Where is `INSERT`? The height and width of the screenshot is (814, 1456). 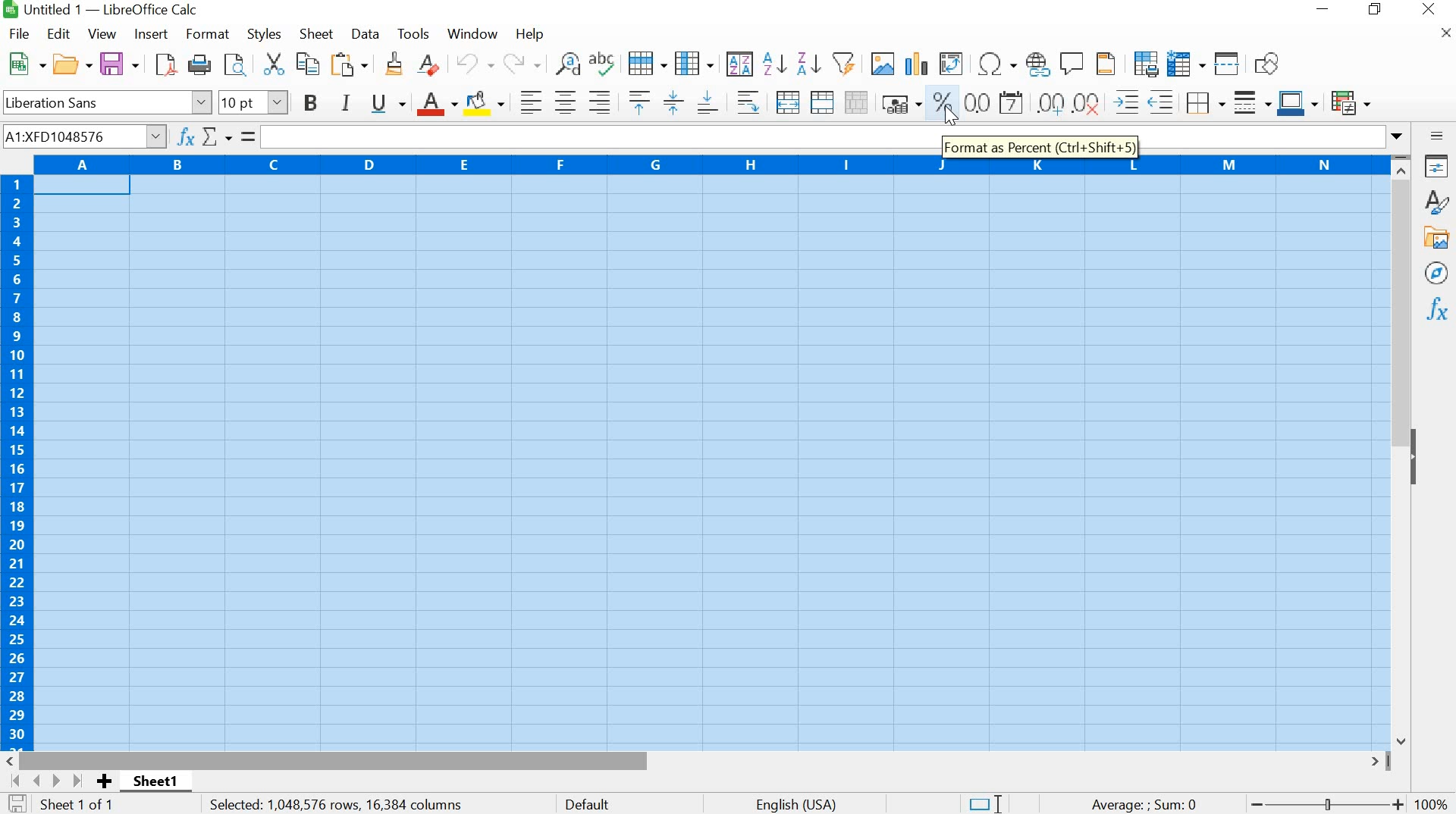
INSERT is located at coordinates (151, 33).